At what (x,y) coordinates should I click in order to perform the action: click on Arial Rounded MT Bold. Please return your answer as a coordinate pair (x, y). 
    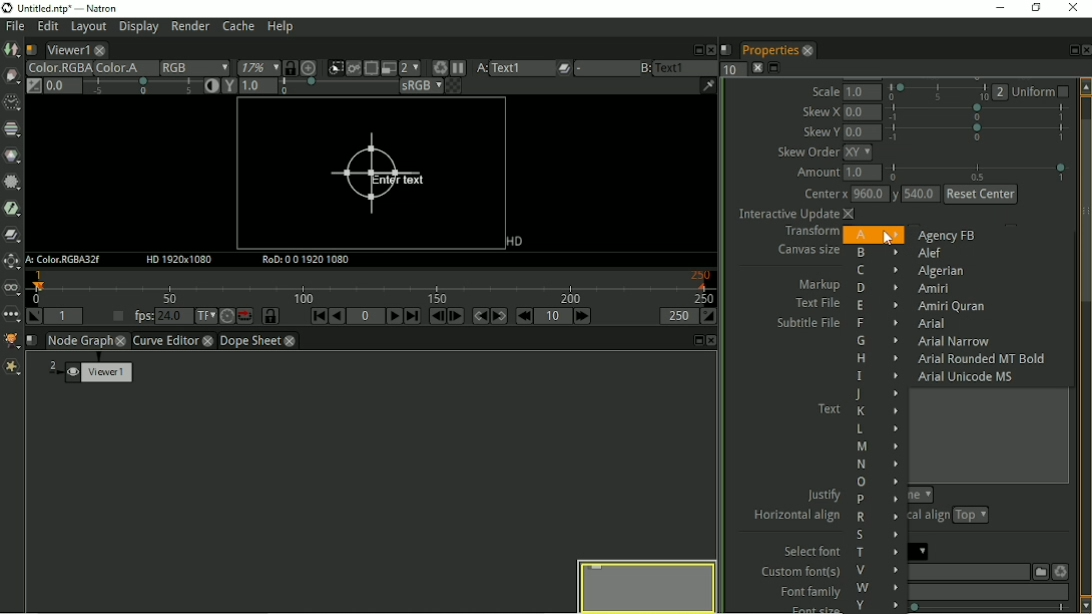
    Looking at the image, I should click on (983, 359).